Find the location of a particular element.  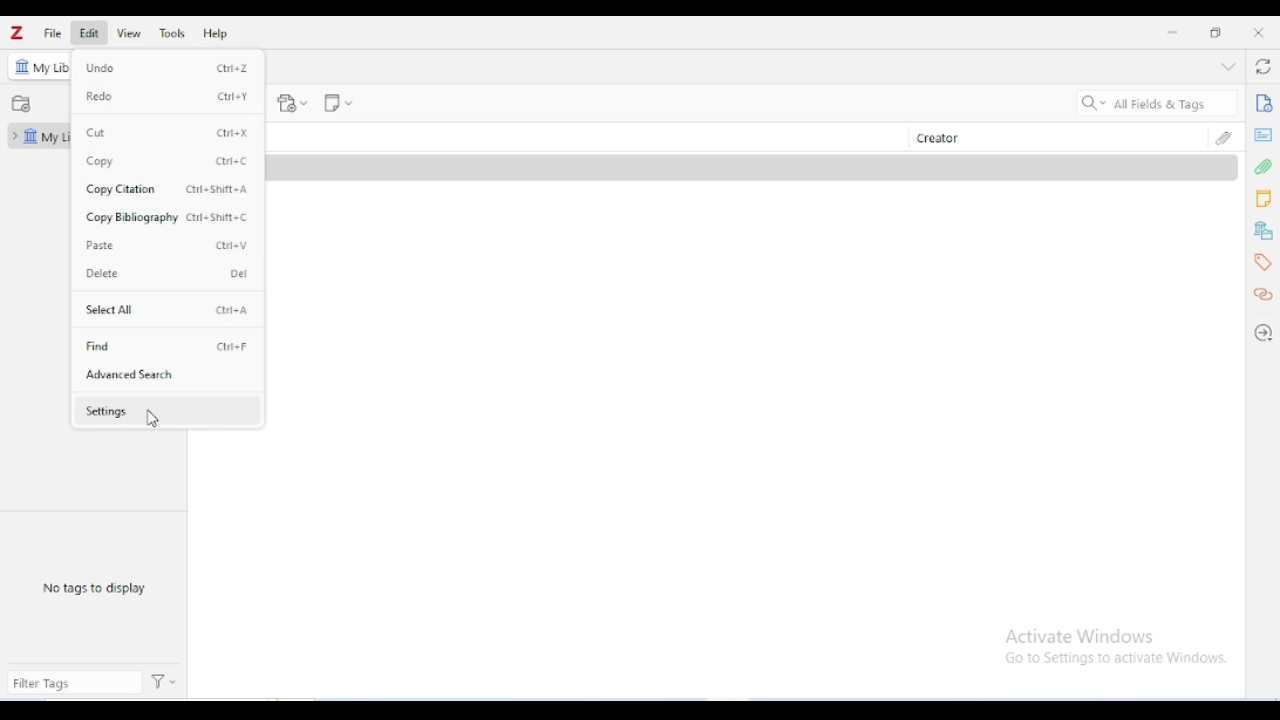

Go to Settings to activate Windows. is located at coordinates (1120, 658).